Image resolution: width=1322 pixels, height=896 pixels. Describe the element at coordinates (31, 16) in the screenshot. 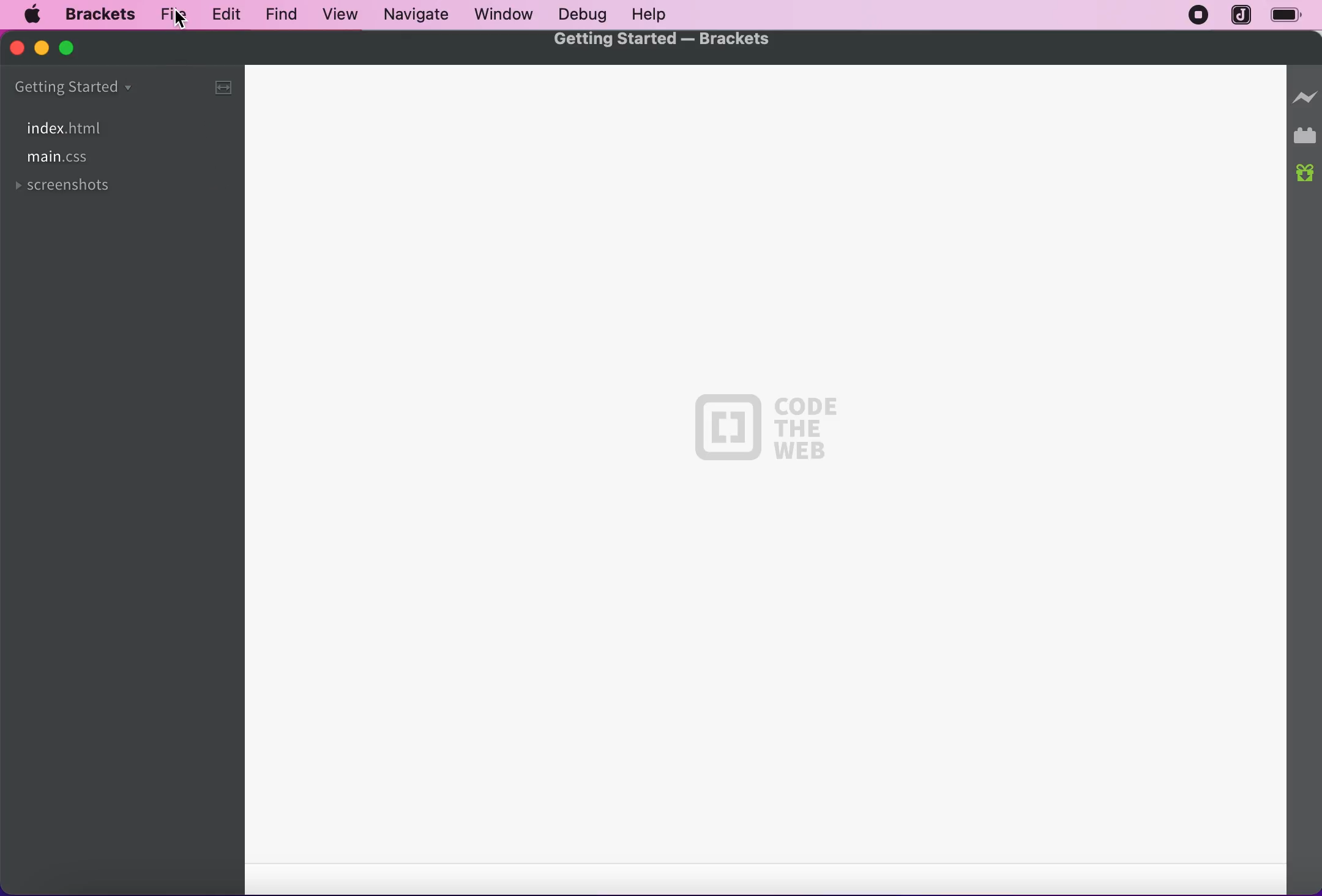

I see `mac logo` at that location.